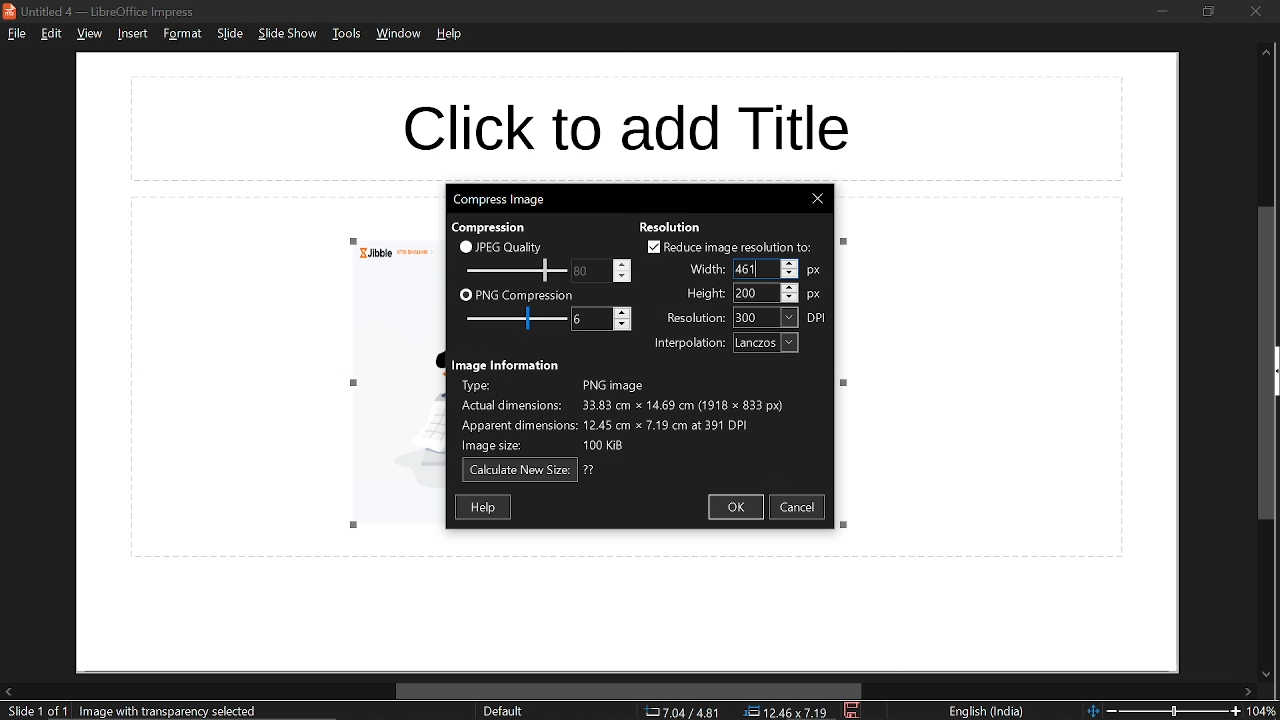  I want to click on text, so click(705, 271).